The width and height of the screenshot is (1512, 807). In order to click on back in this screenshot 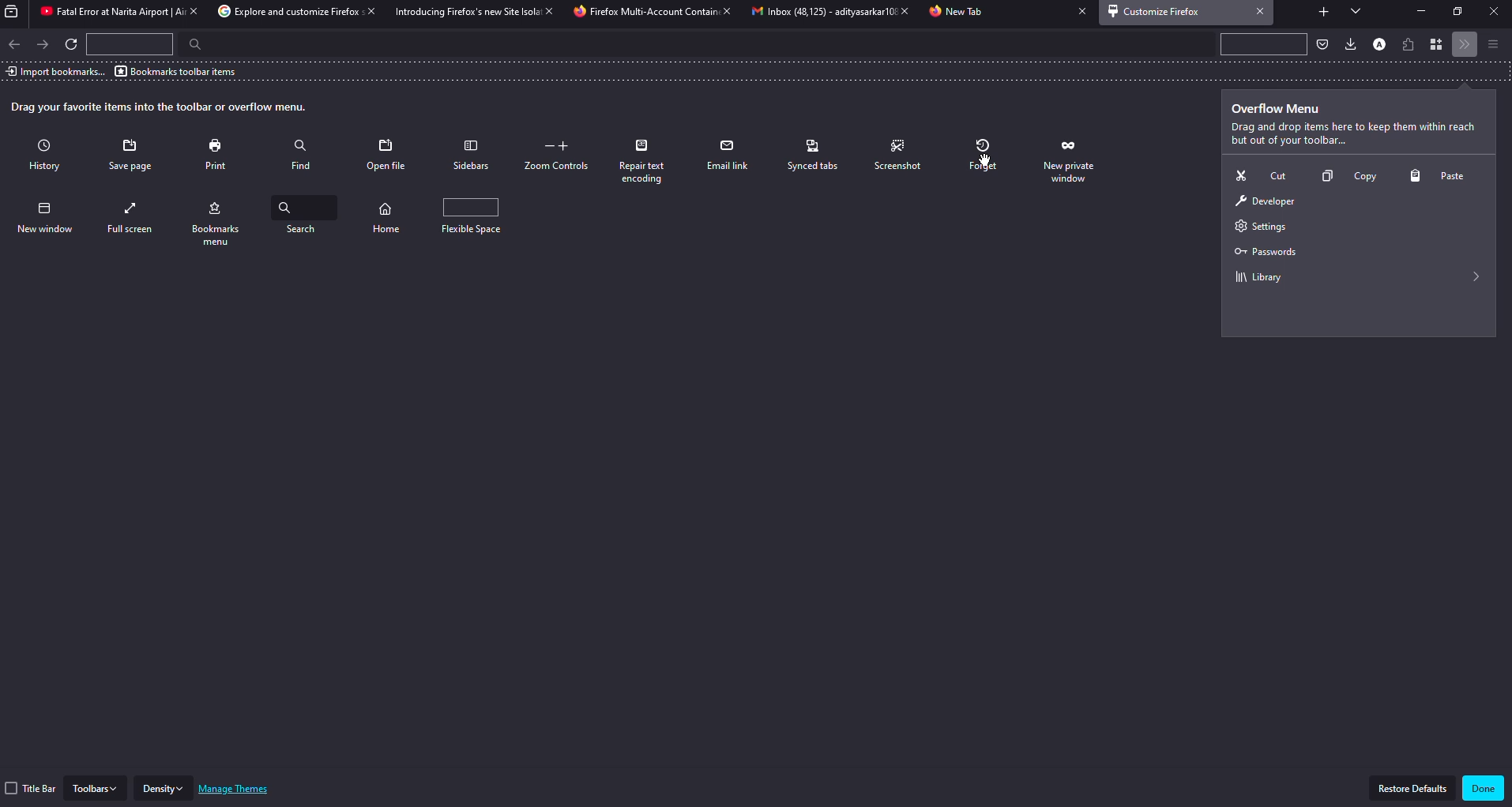, I will do `click(15, 44)`.